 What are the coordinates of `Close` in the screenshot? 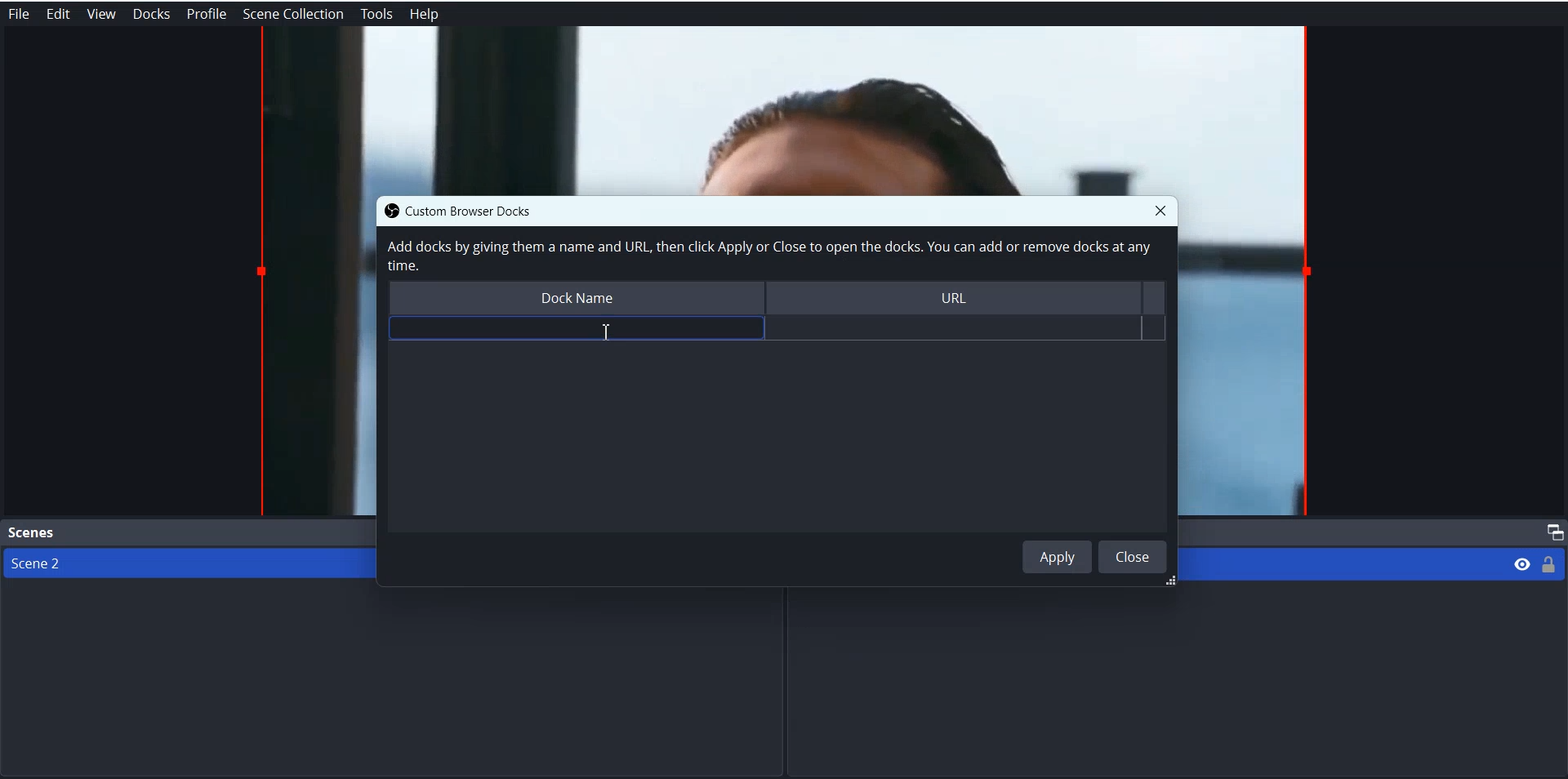 It's located at (1133, 556).